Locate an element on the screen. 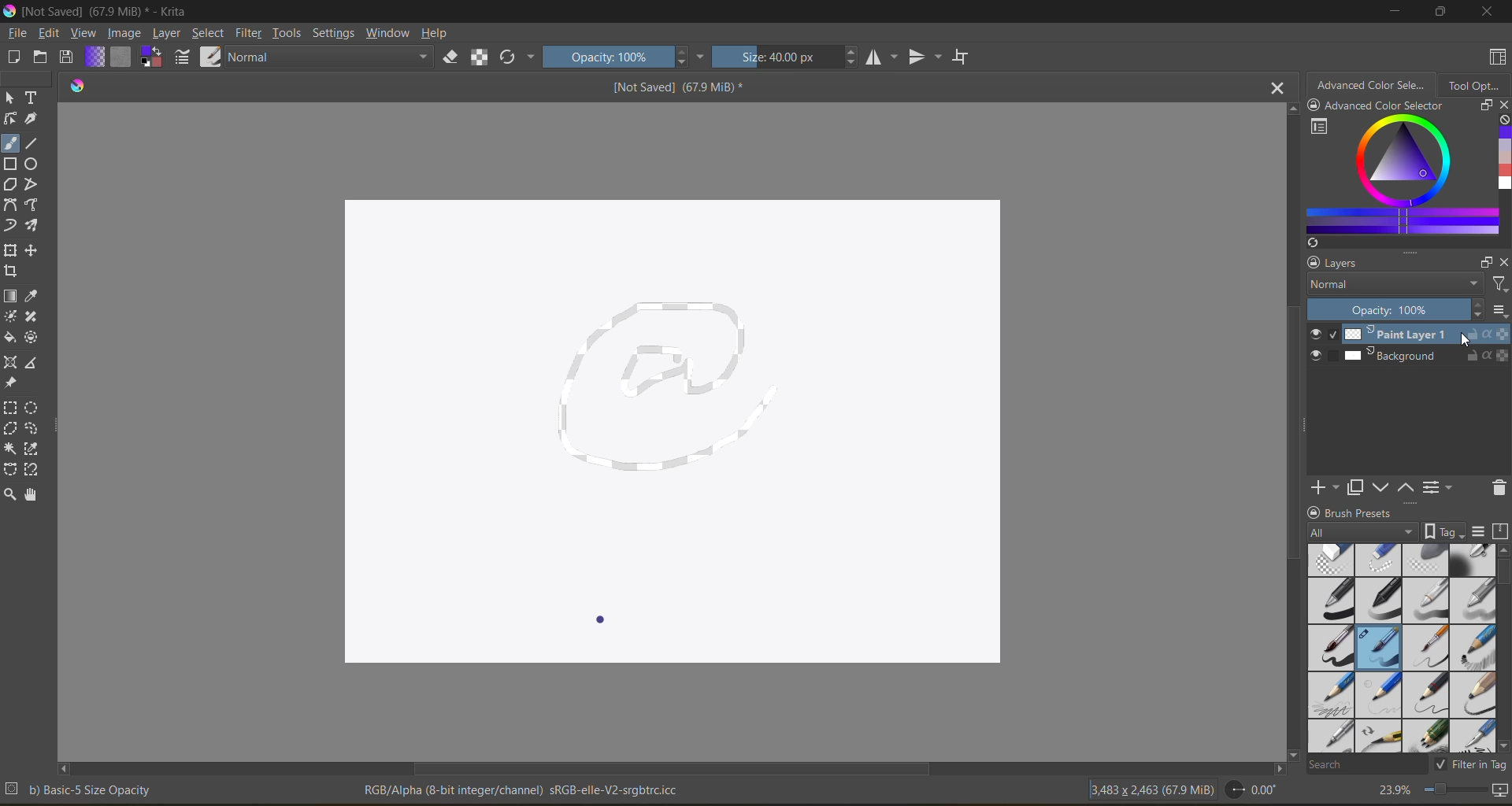  rectangular selection tool is located at coordinates (9, 408).